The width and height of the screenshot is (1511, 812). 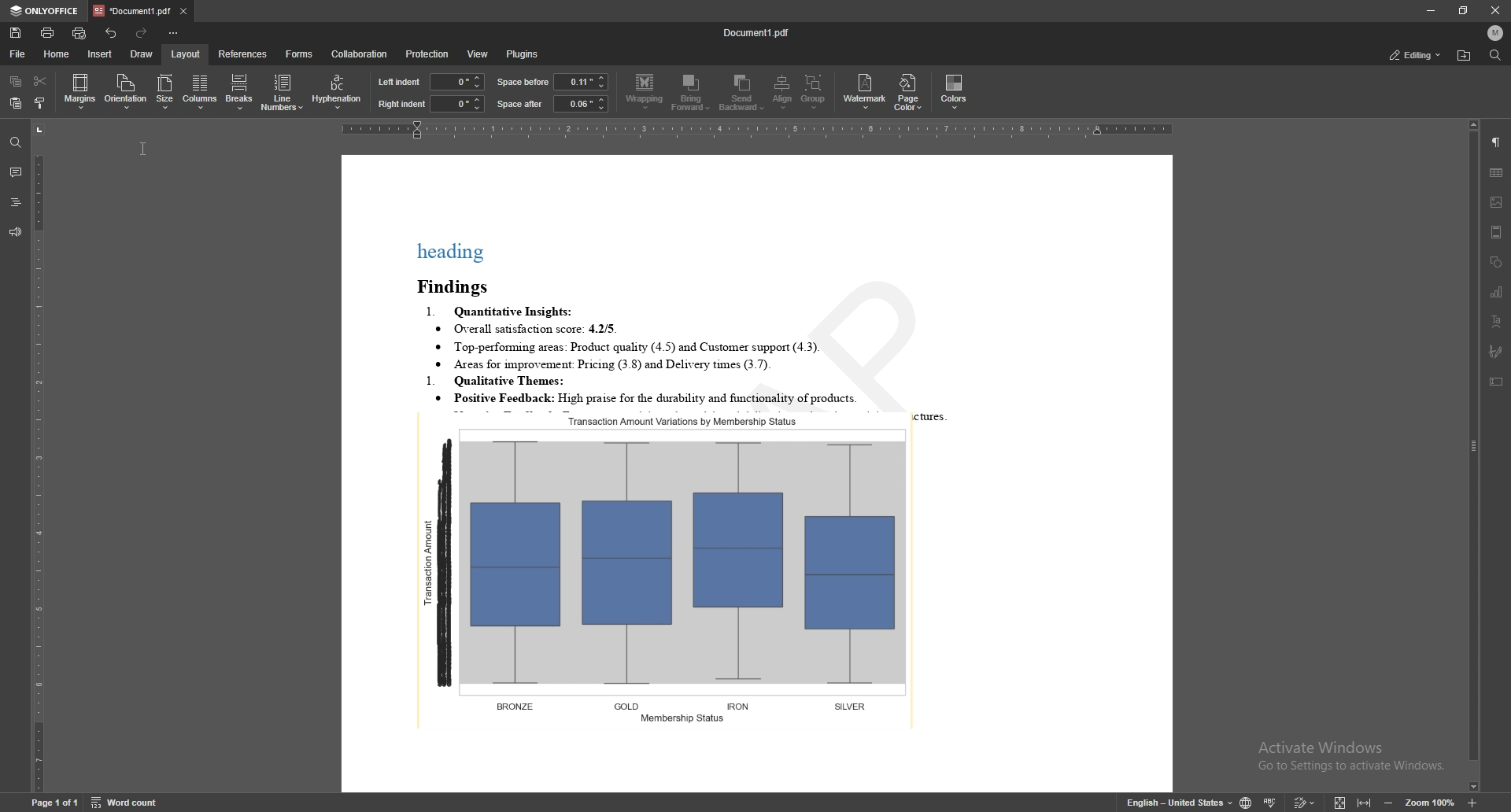 What do you see at coordinates (456, 80) in the screenshot?
I see `input left indent` at bounding box center [456, 80].